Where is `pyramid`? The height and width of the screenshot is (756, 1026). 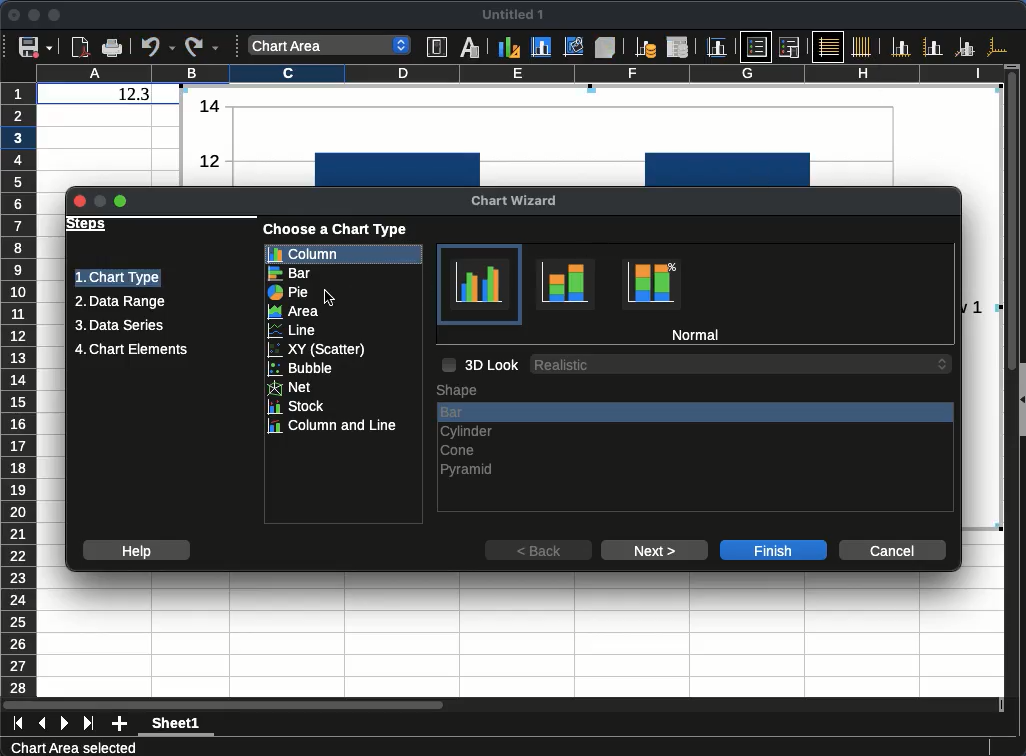
pyramid is located at coordinates (467, 470).